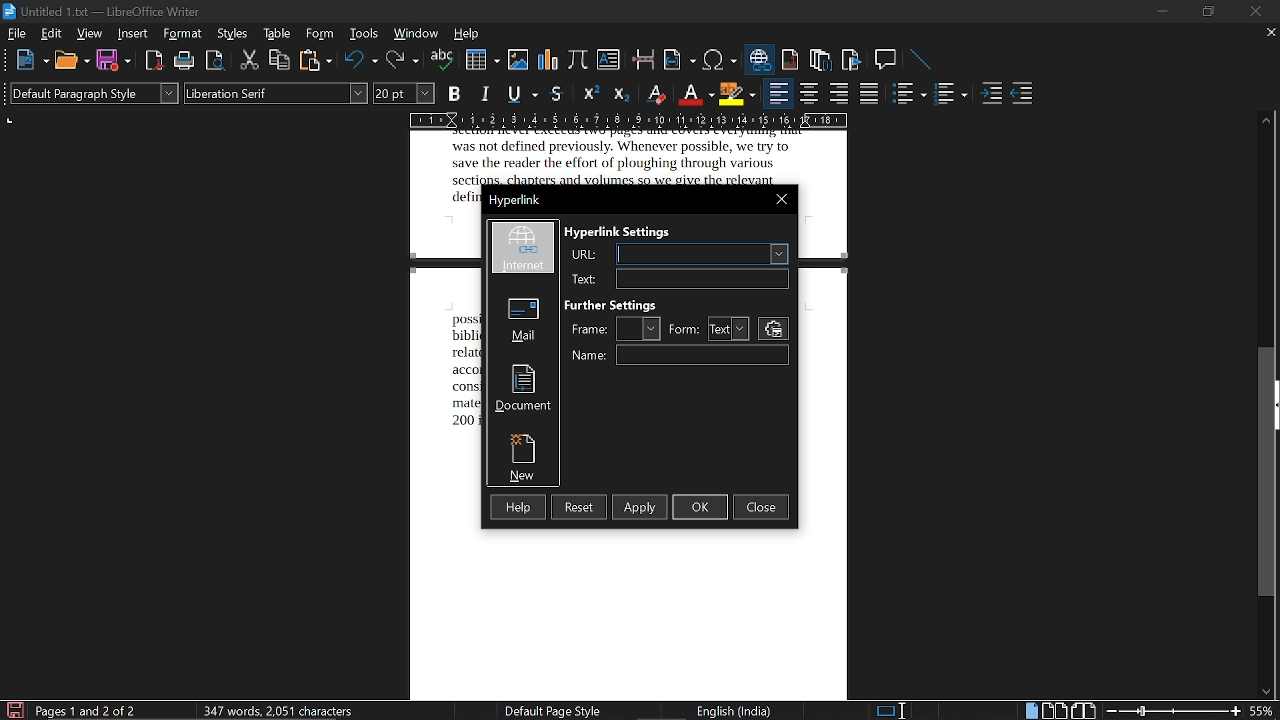  What do you see at coordinates (524, 248) in the screenshot?
I see `internet` at bounding box center [524, 248].